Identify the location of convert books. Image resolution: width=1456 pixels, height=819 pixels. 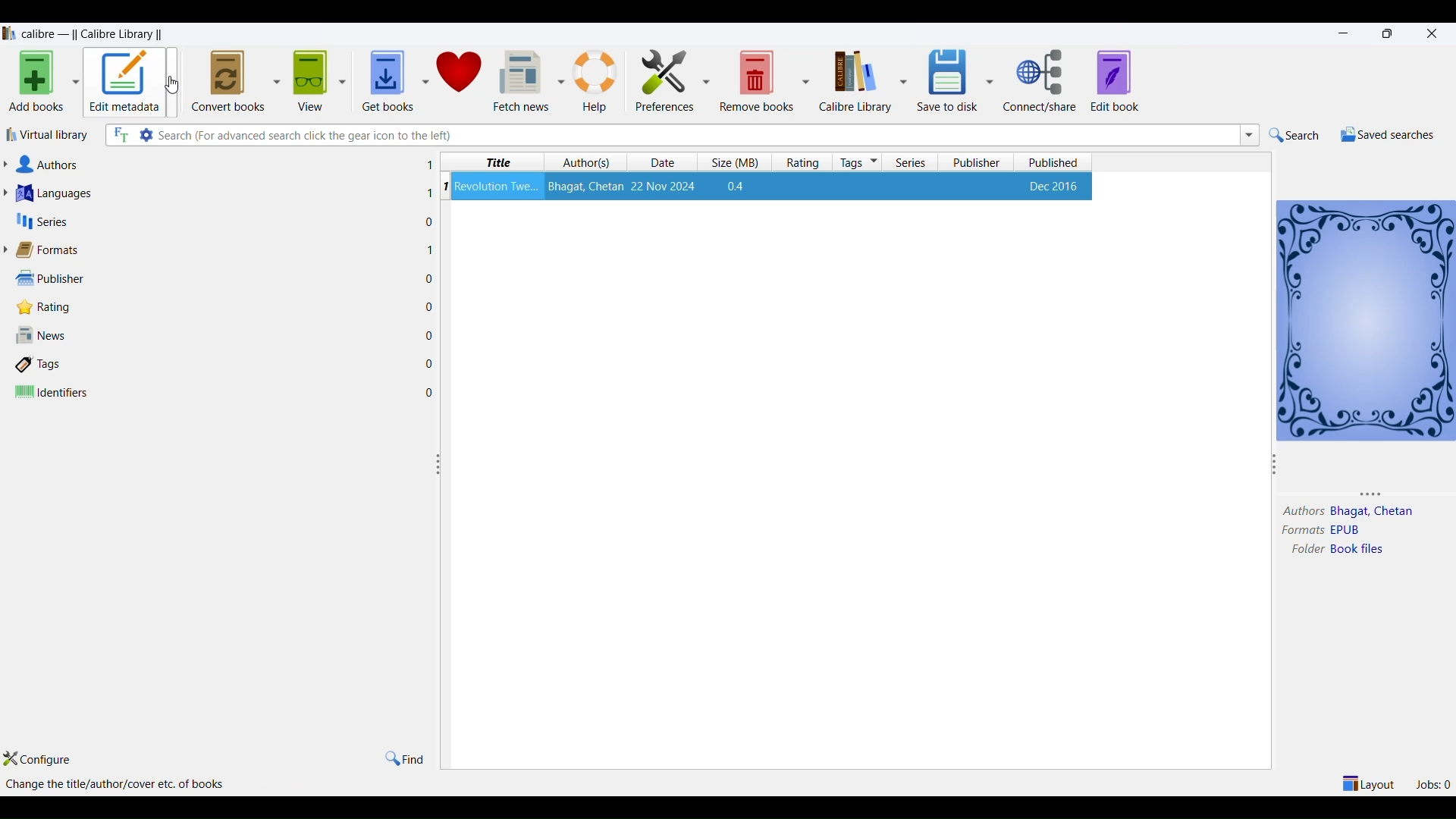
(227, 78).